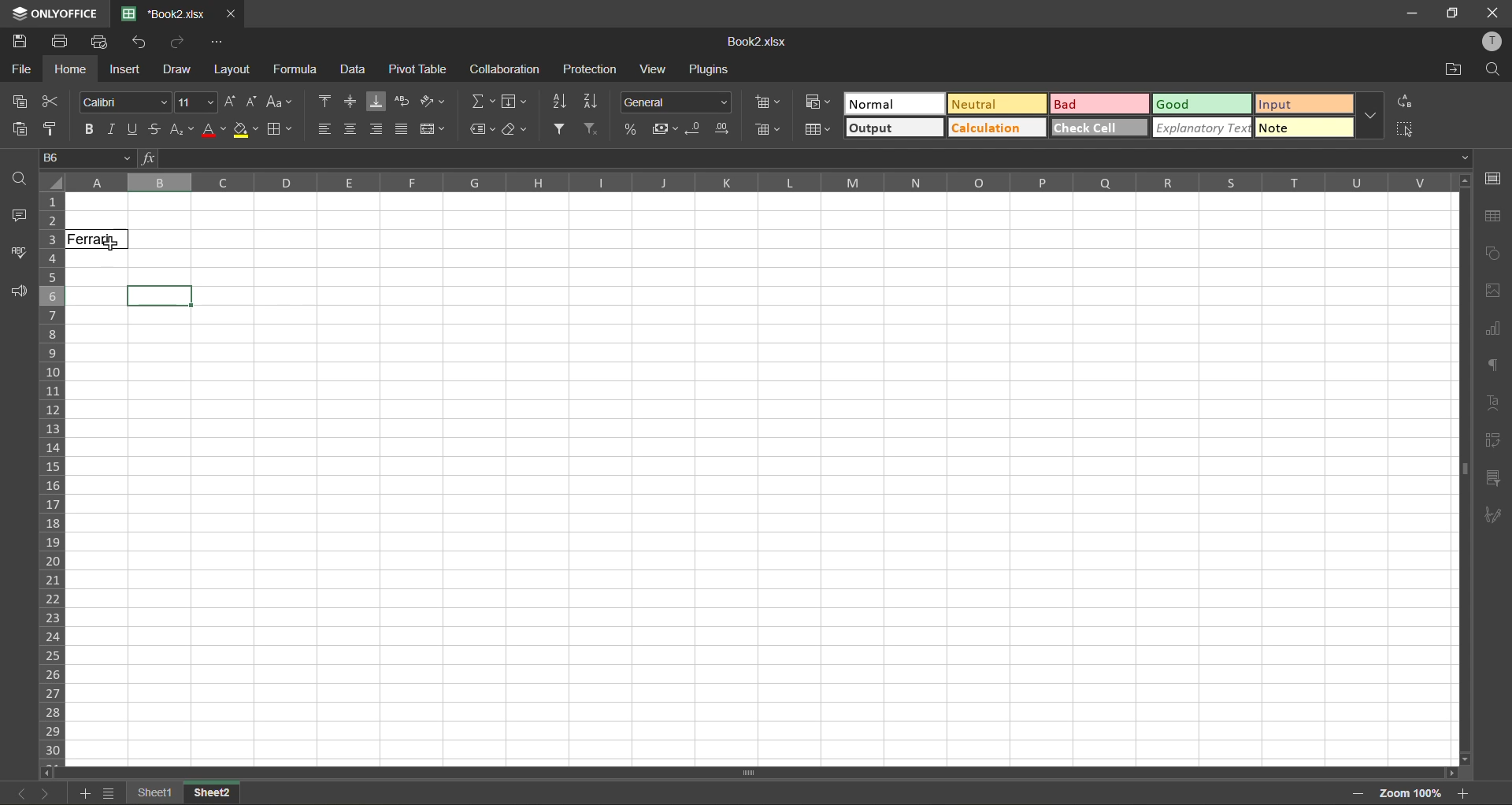 This screenshot has height=805, width=1512. Describe the element at coordinates (20, 69) in the screenshot. I see `file` at that location.